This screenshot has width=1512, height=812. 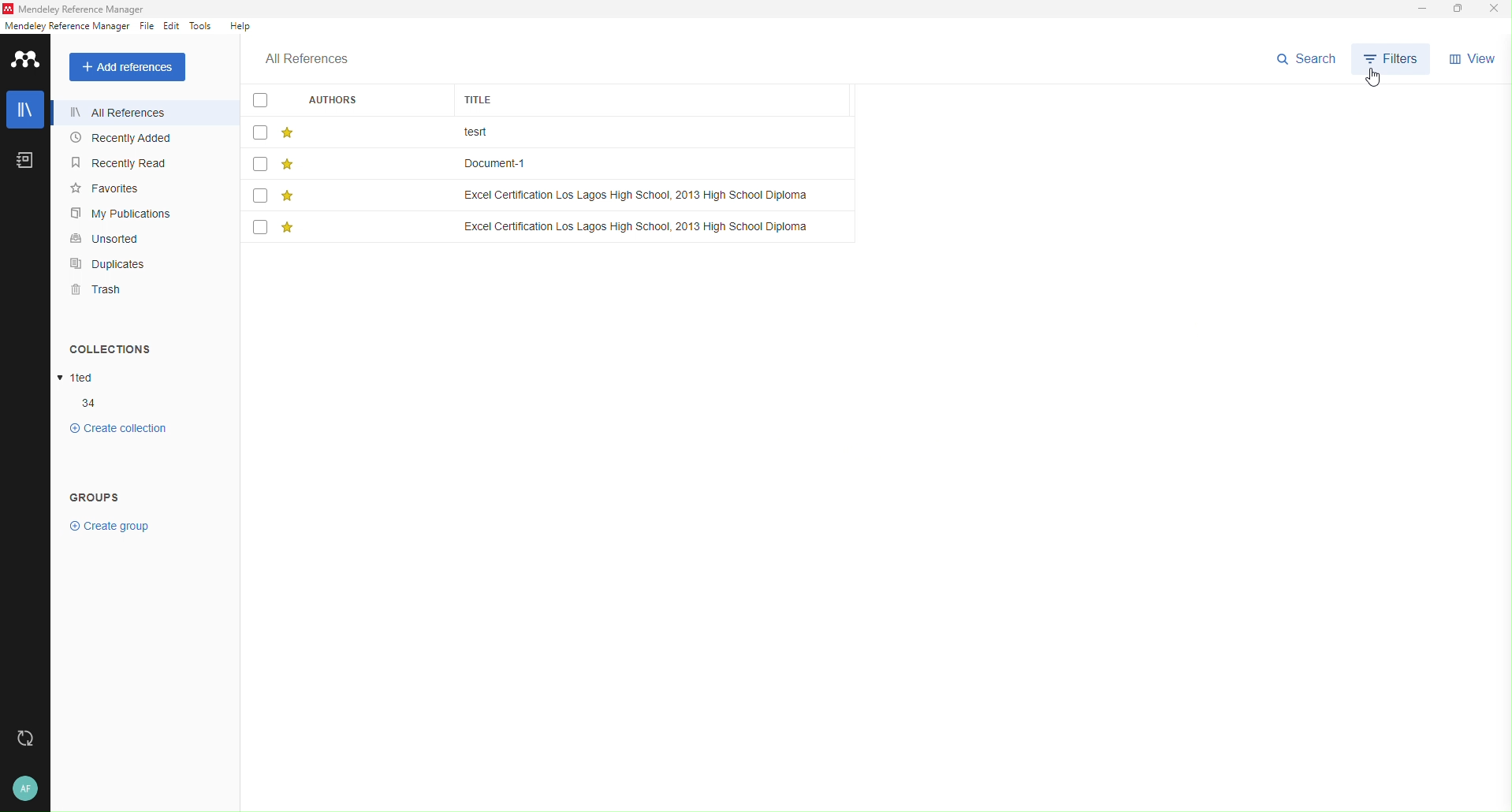 I want to click on Tools, so click(x=202, y=26).